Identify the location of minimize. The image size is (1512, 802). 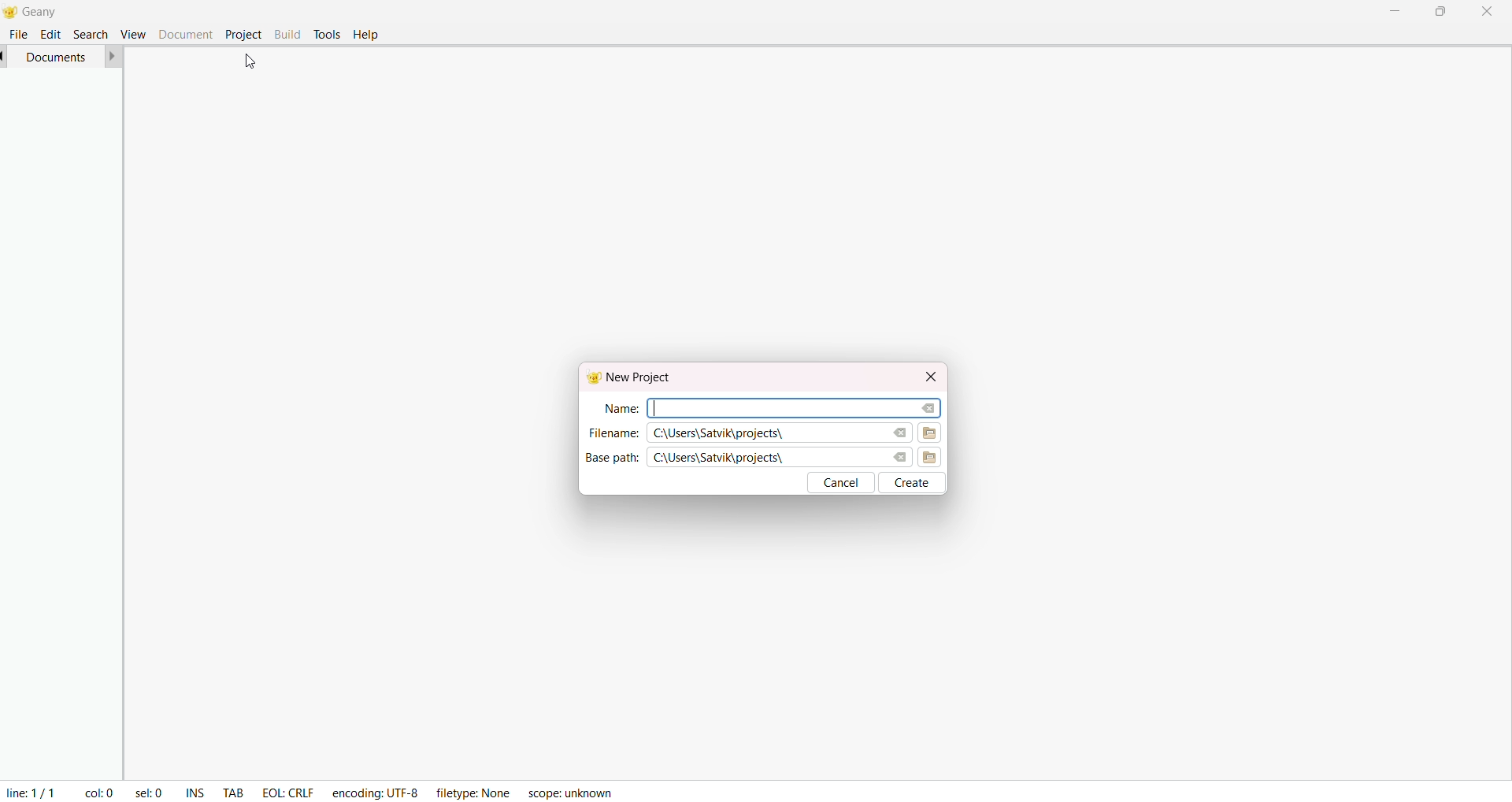
(1392, 9).